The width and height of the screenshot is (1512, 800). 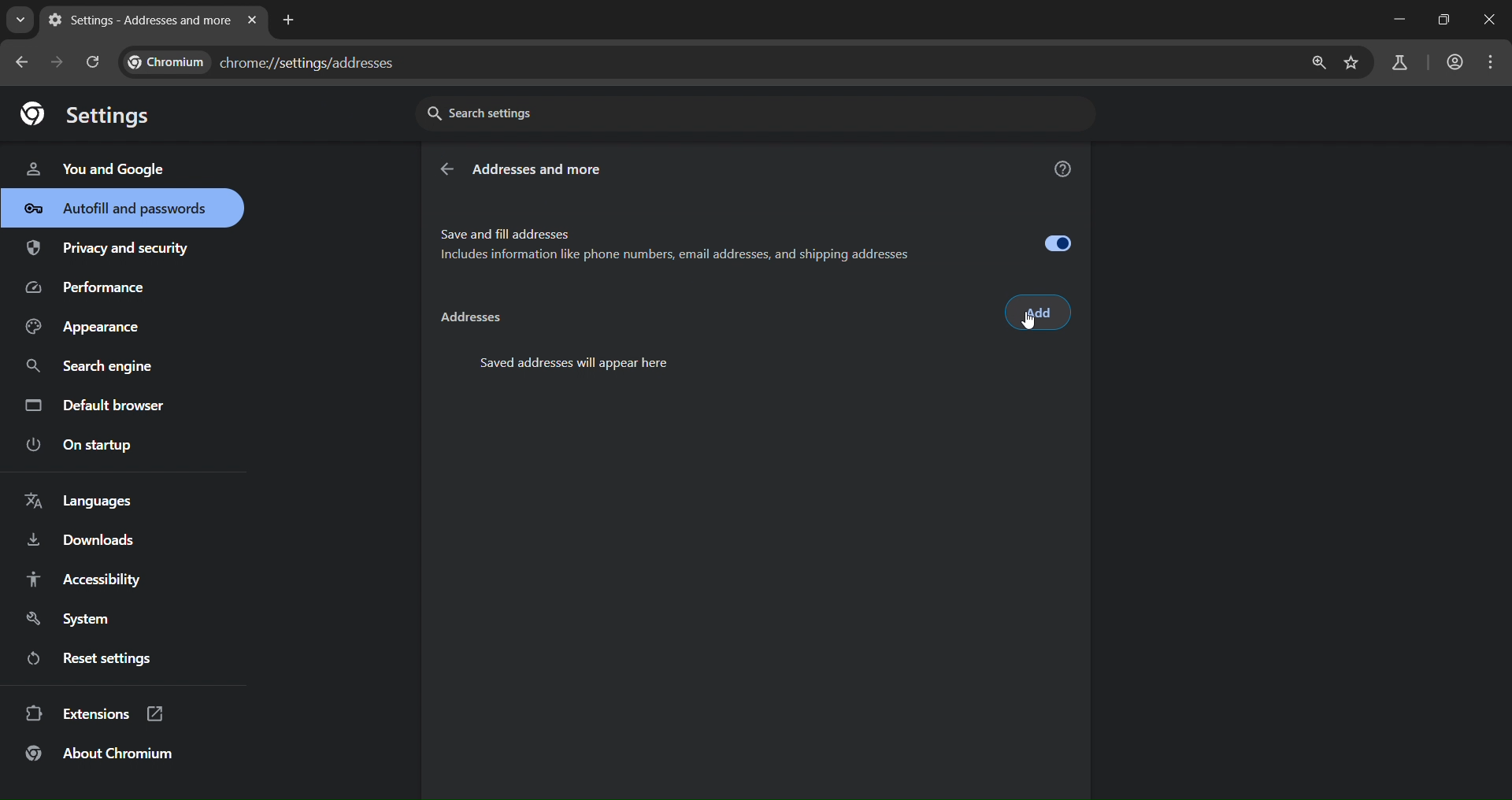 I want to click on language, so click(x=83, y=502).